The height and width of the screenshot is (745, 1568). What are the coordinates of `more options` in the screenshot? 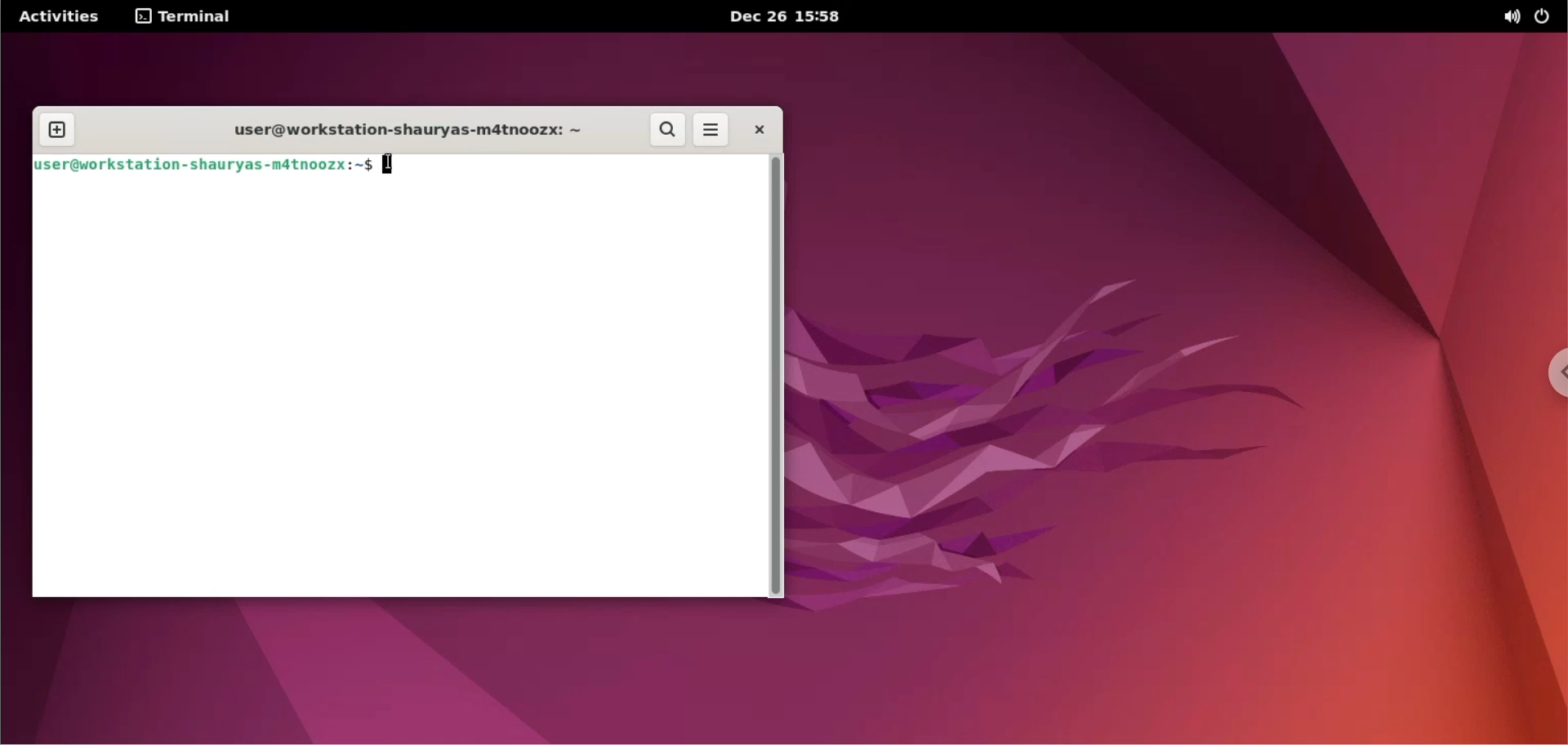 It's located at (714, 132).